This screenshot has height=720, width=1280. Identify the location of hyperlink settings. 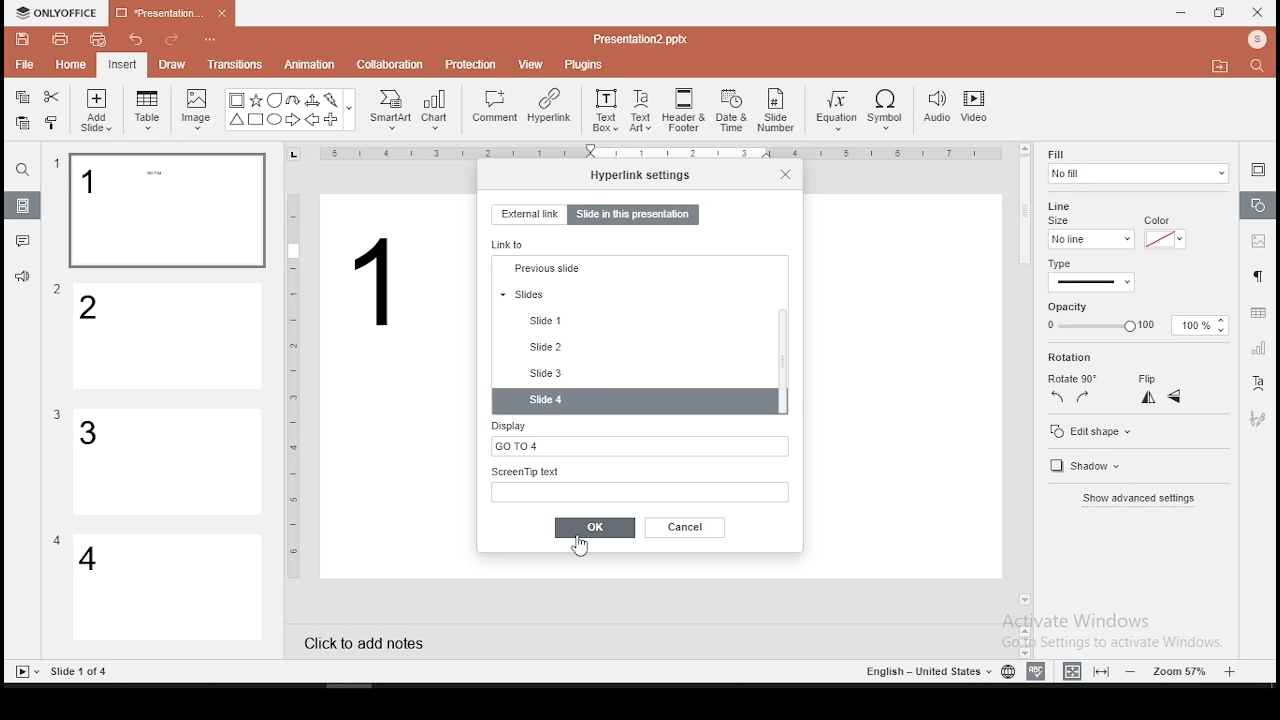
(641, 174).